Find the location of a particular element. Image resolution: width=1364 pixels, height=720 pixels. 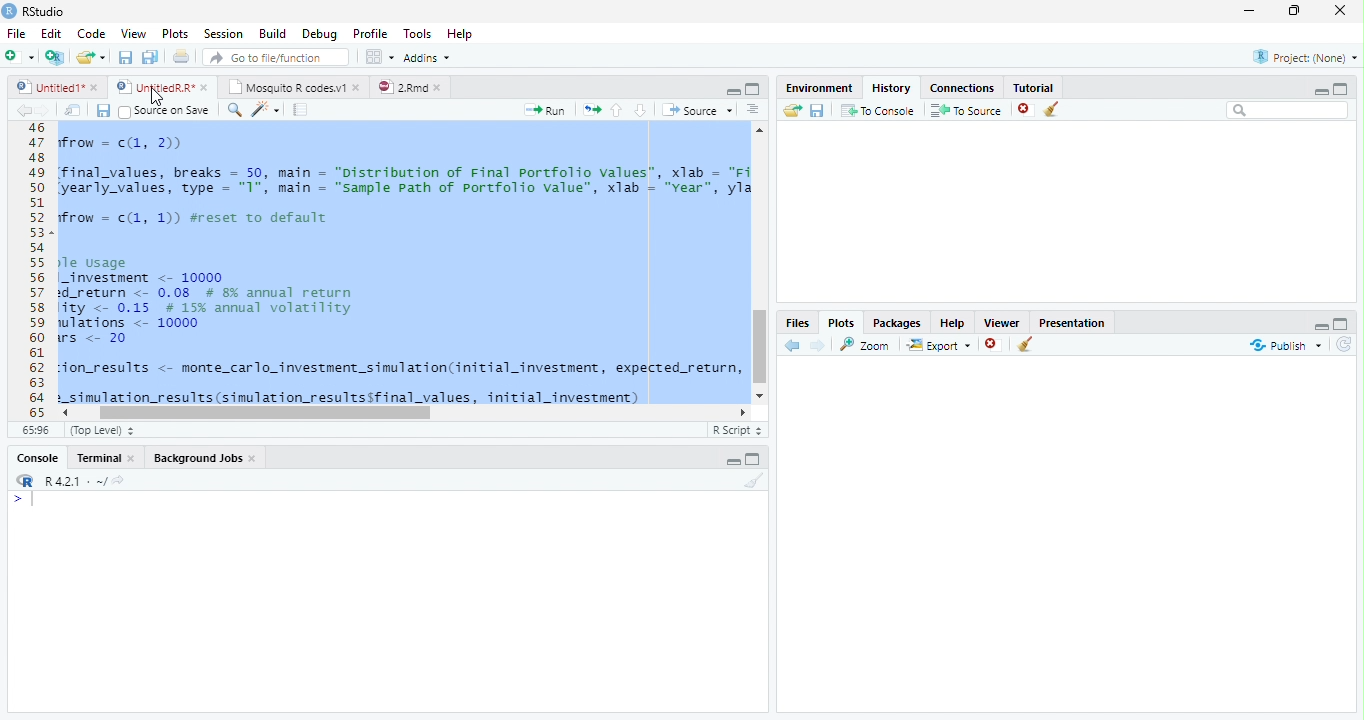

History is located at coordinates (890, 86).